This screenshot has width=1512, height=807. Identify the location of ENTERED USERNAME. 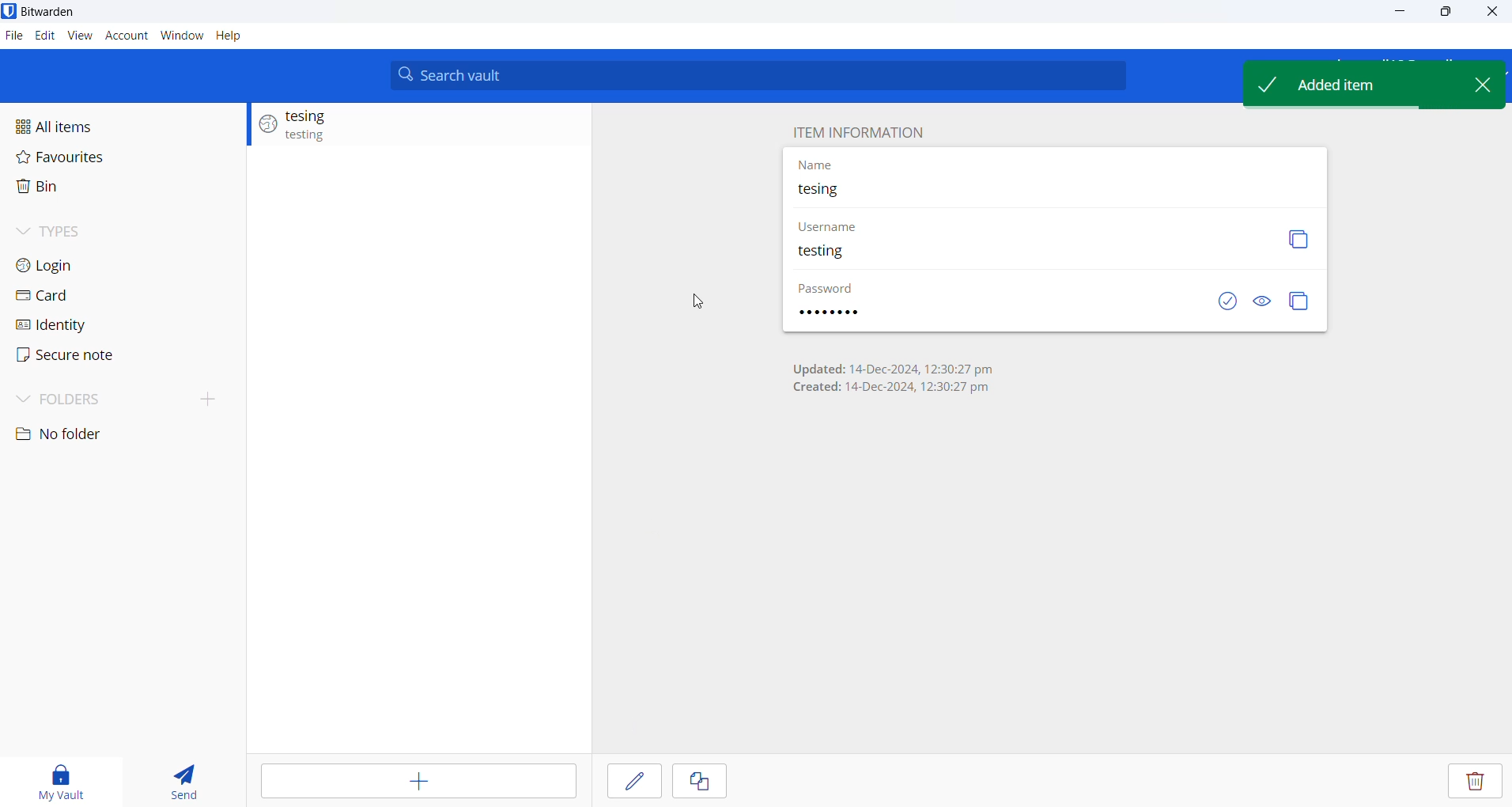
(949, 258).